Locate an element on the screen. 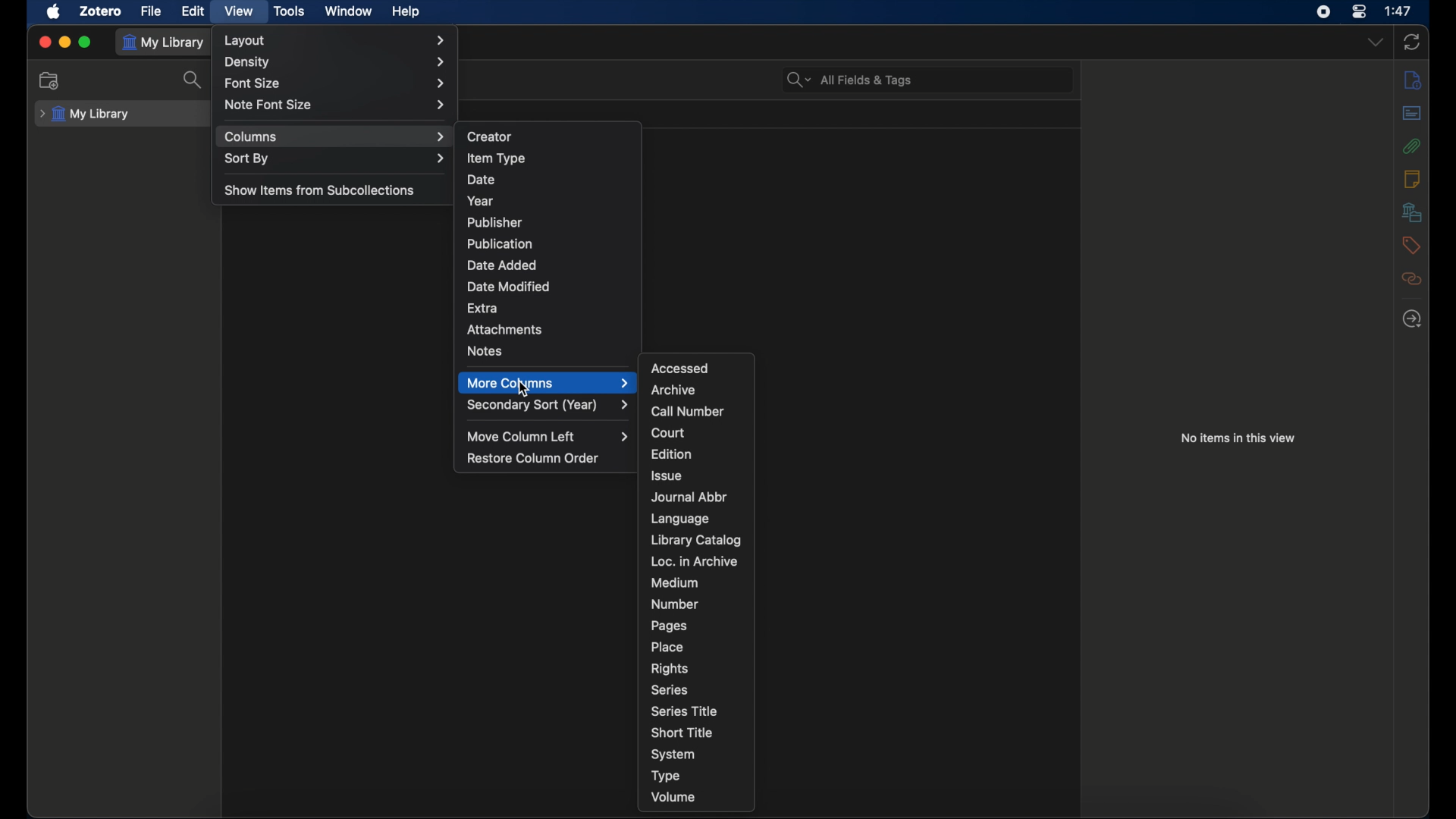  edition is located at coordinates (673, 454).